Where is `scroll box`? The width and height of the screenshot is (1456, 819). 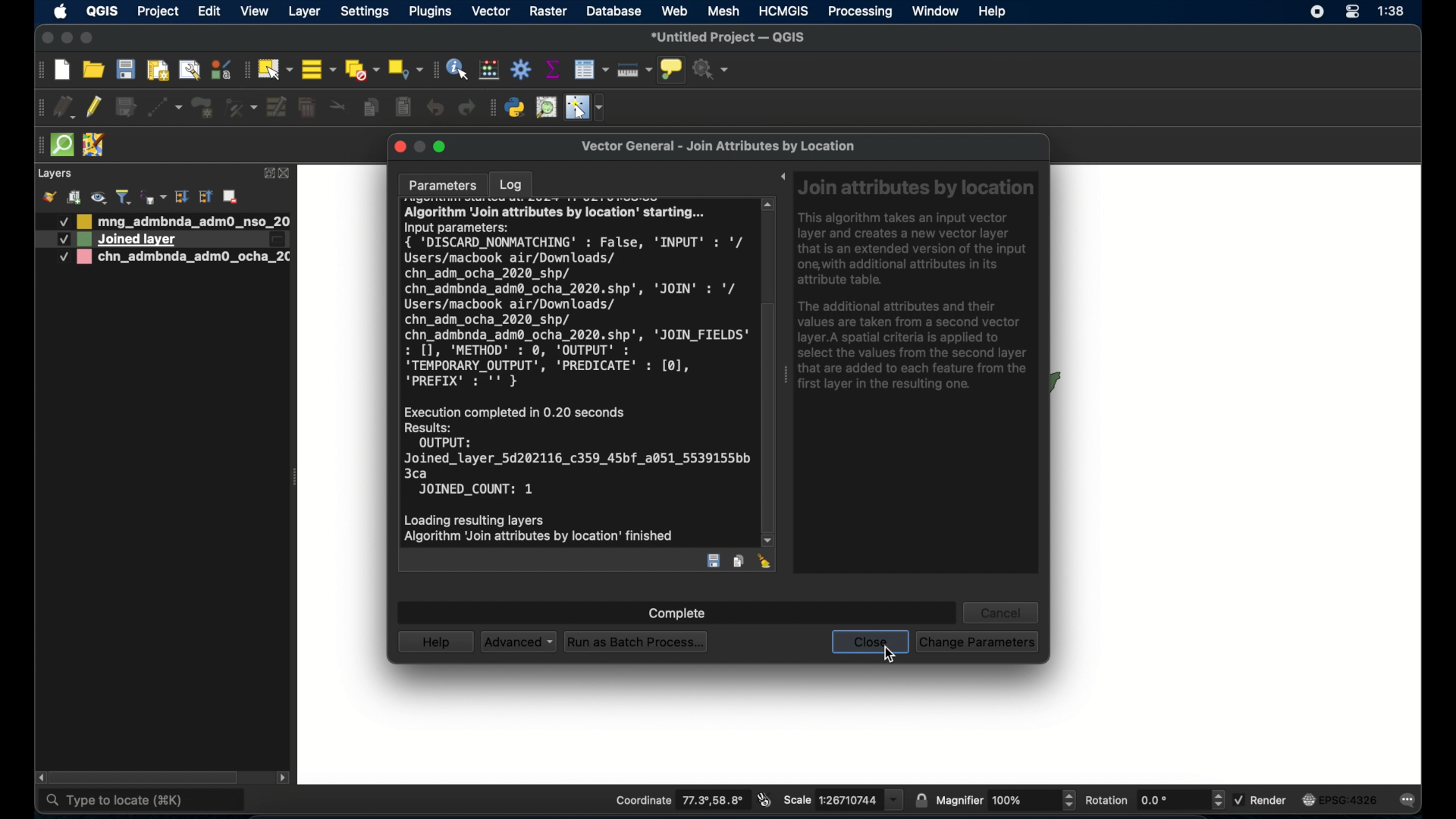
scroll box is located at coordinates (768, 312).